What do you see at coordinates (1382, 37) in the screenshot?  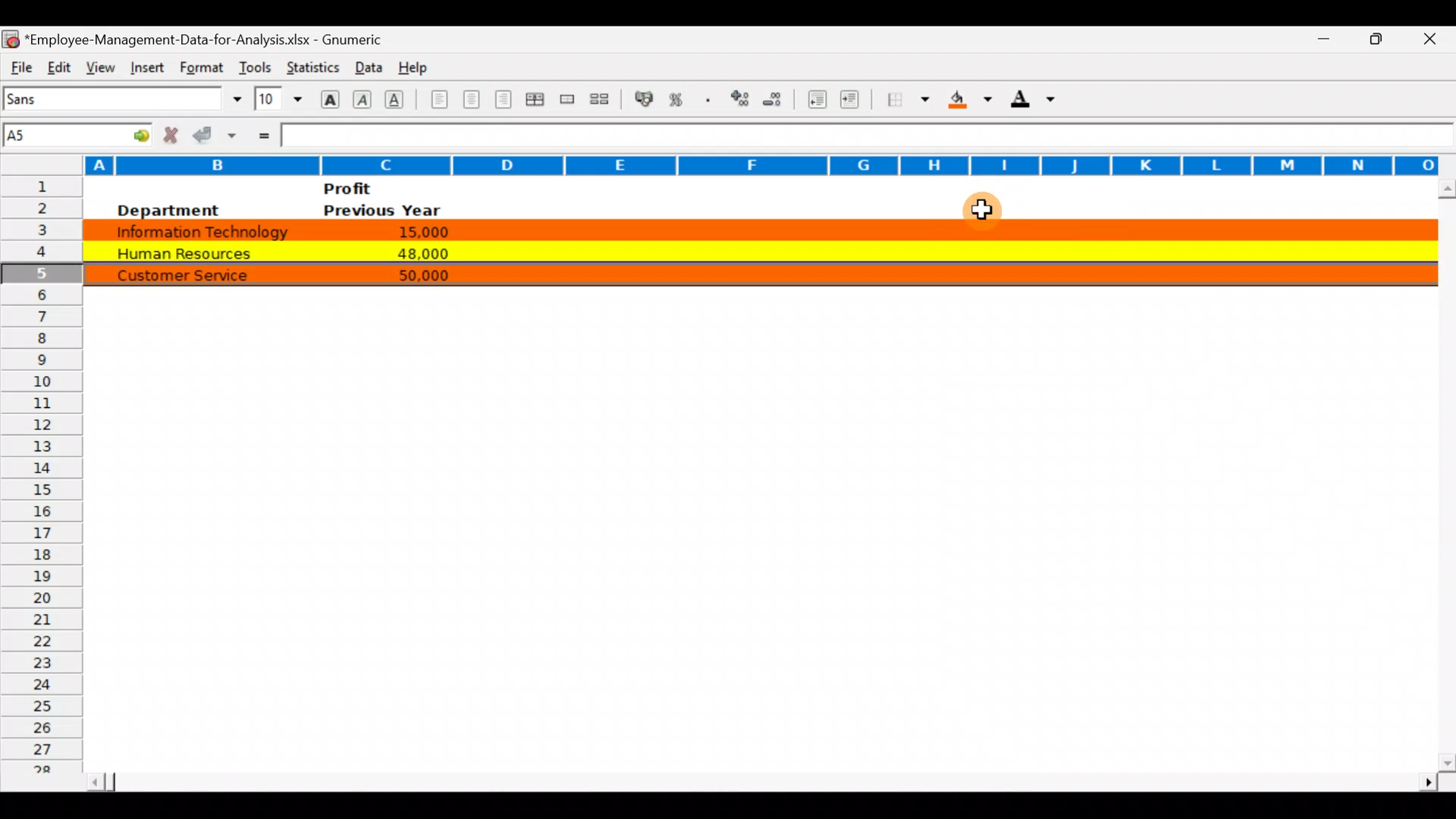 I see `Maximize` at bounding box center [1382, 37].